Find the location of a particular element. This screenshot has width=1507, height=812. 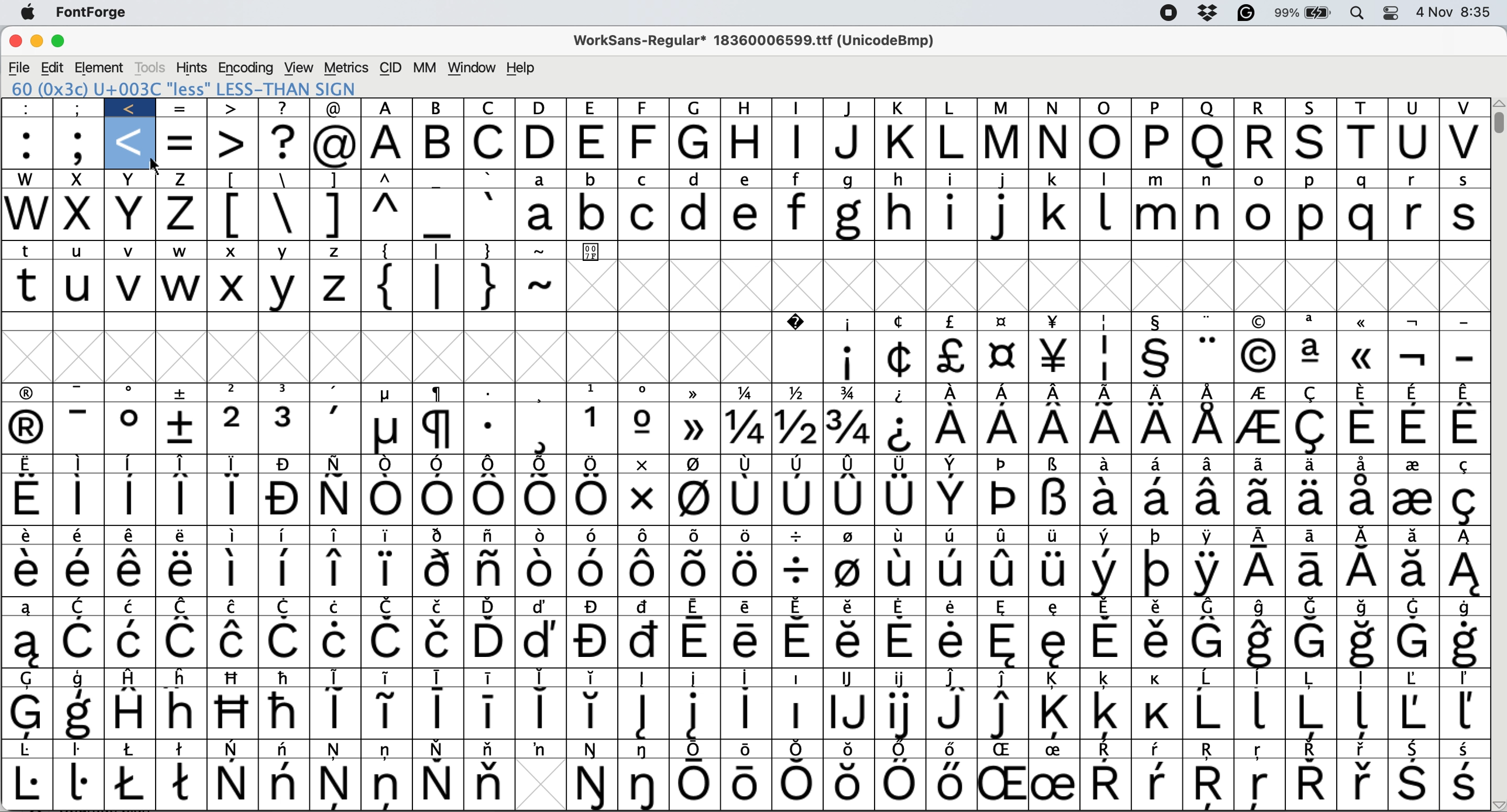

Symbol is located at coordinates (179, 428).